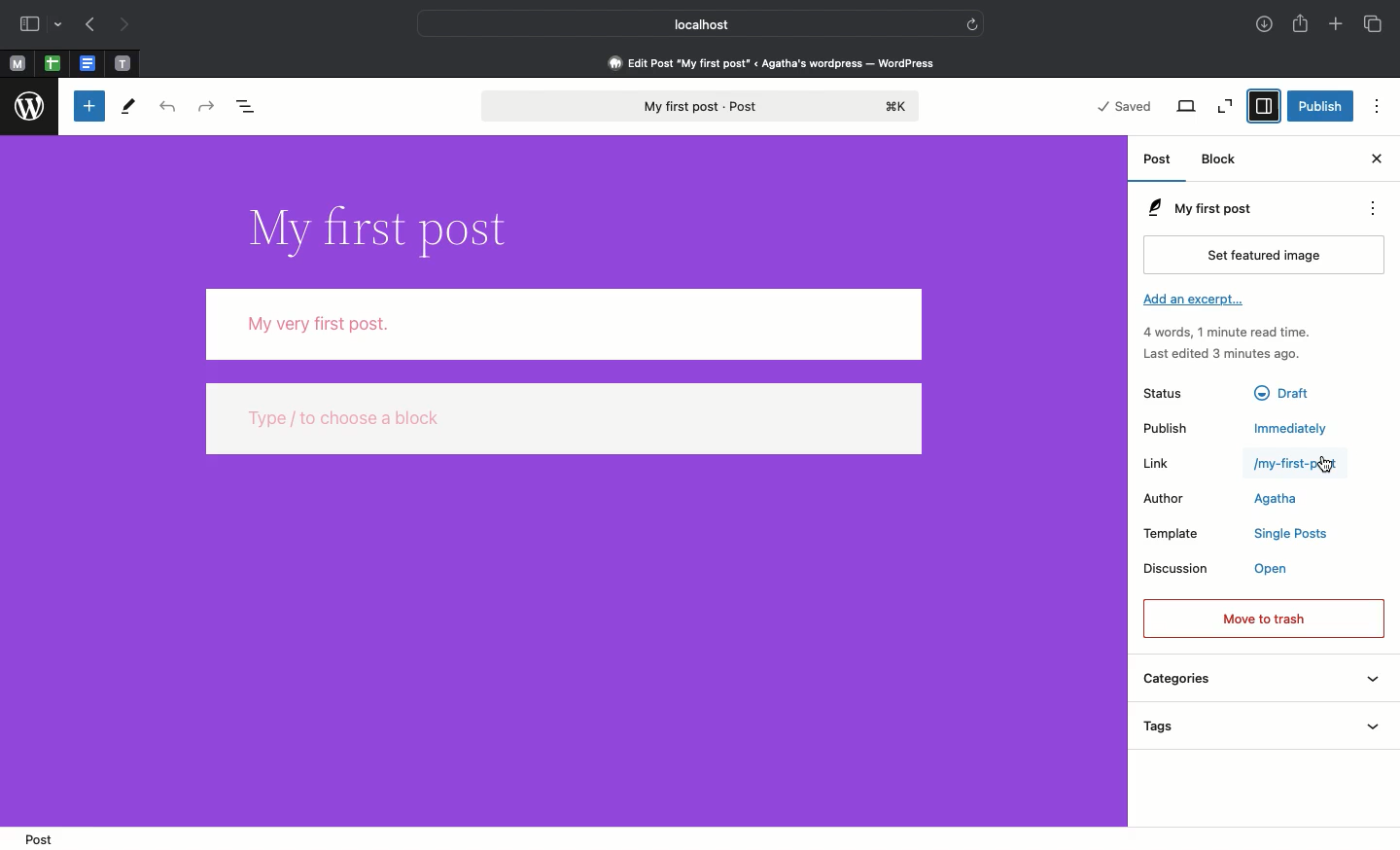 The image size is (1400, 850). I want to click on drop-down, so click(60, 22).